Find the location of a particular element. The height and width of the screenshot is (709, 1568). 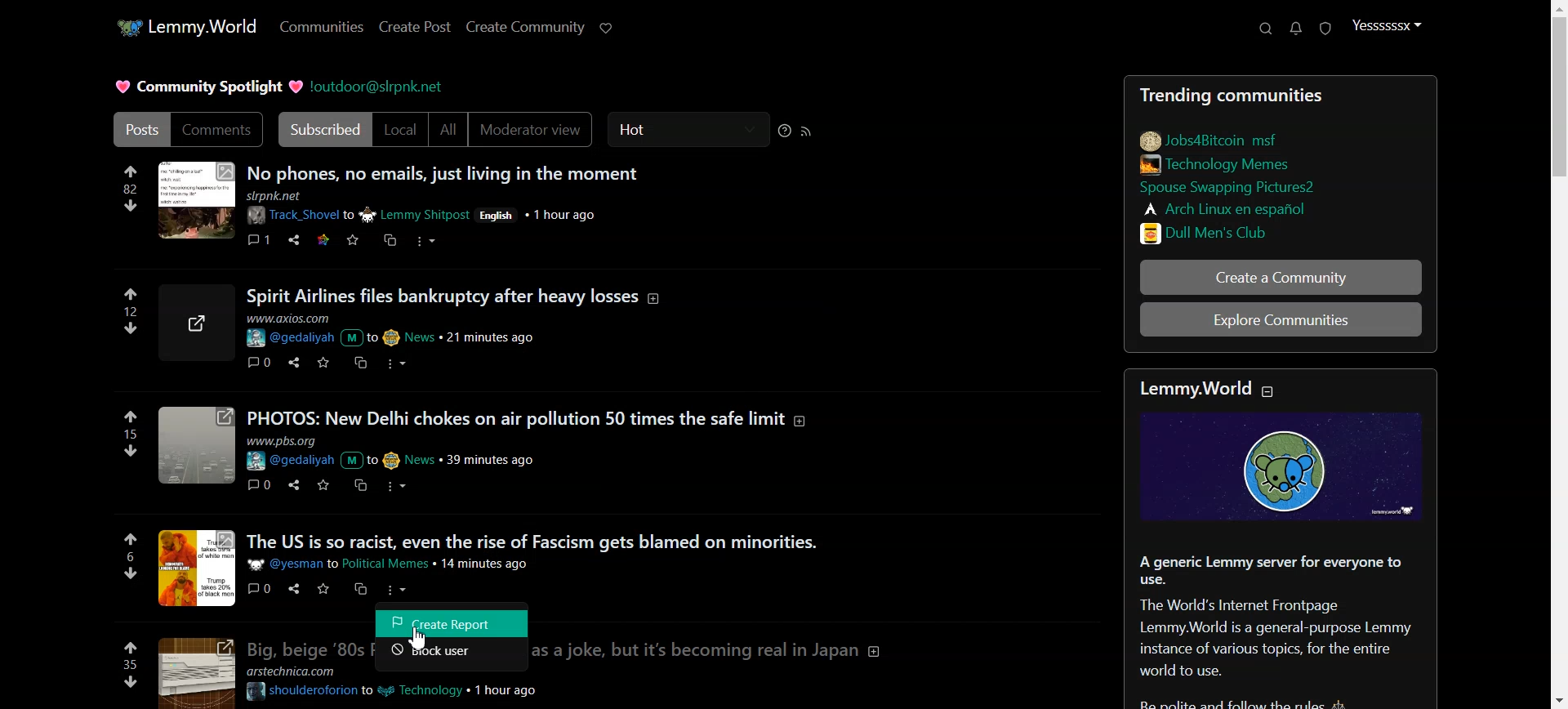

Explore Communities is located at coordinates (1282, 322).